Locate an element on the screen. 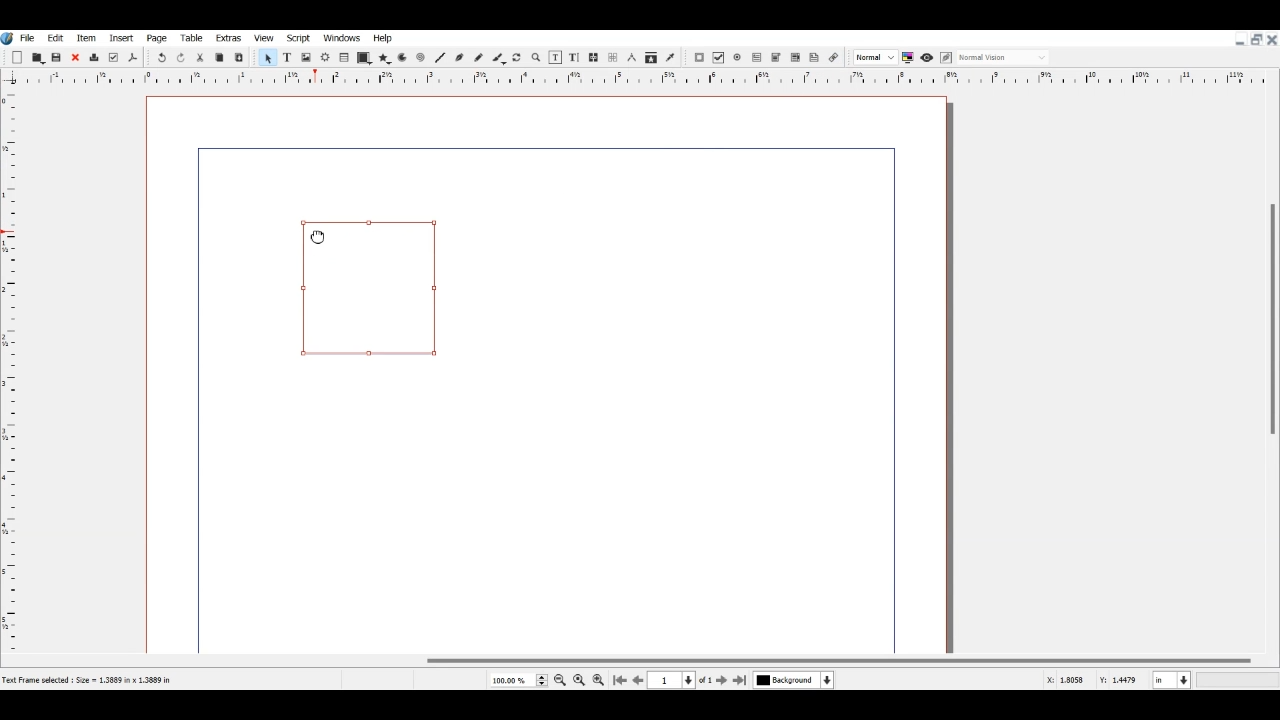  Cursor is located at coordinates (320, 237).